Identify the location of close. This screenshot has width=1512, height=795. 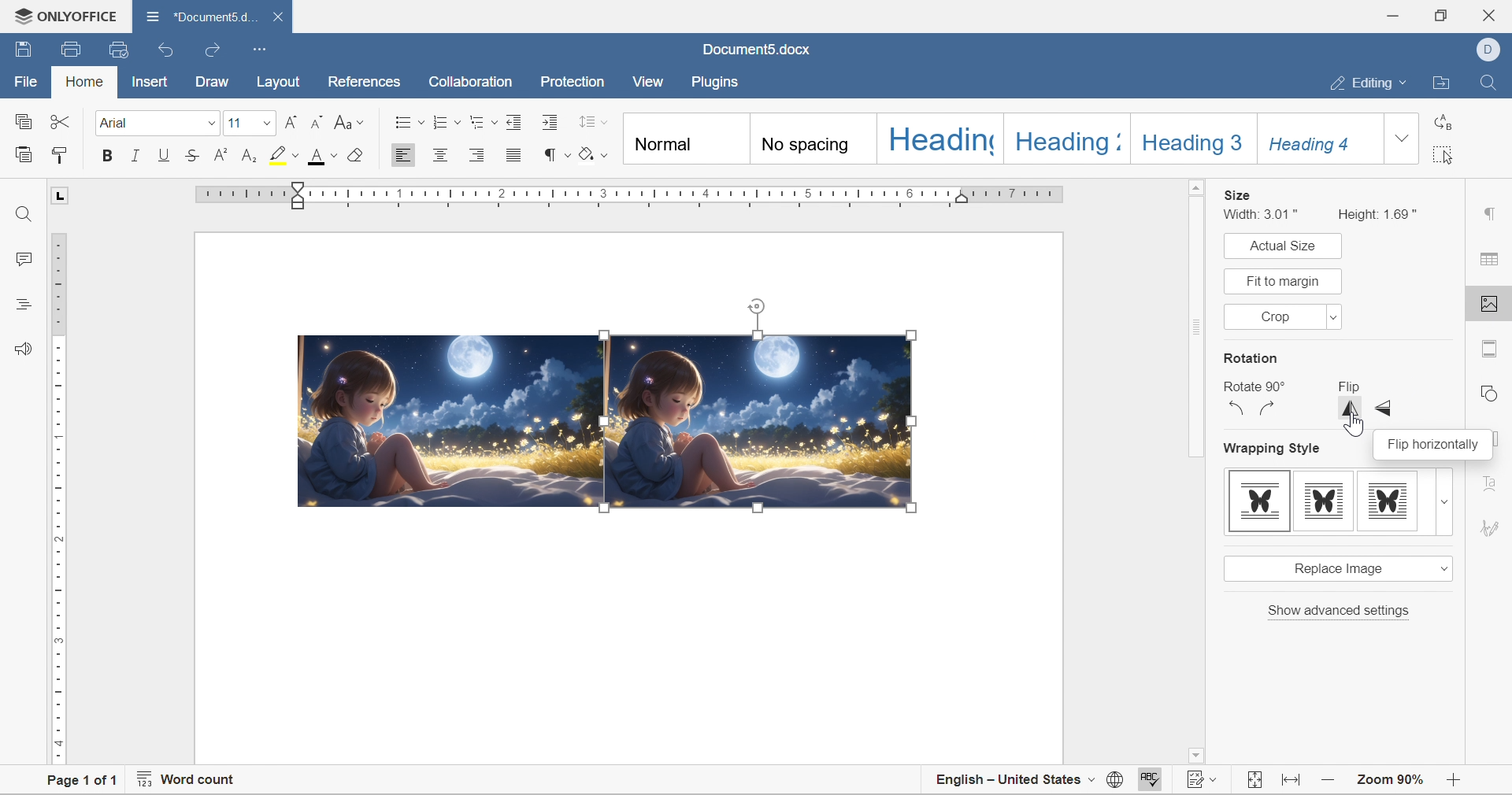
(276, 17).